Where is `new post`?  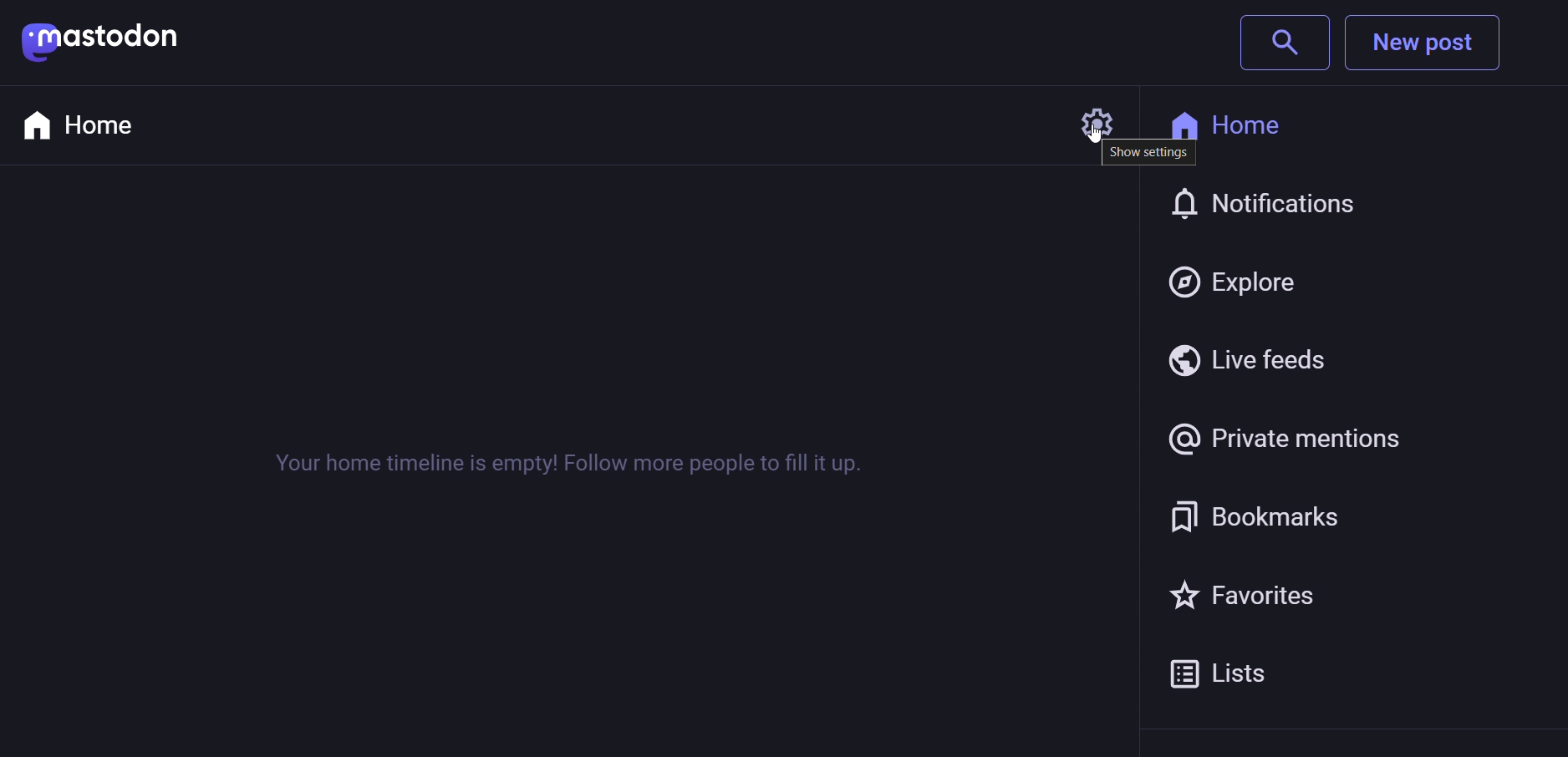 new post is located at coordinates (1428, 44).